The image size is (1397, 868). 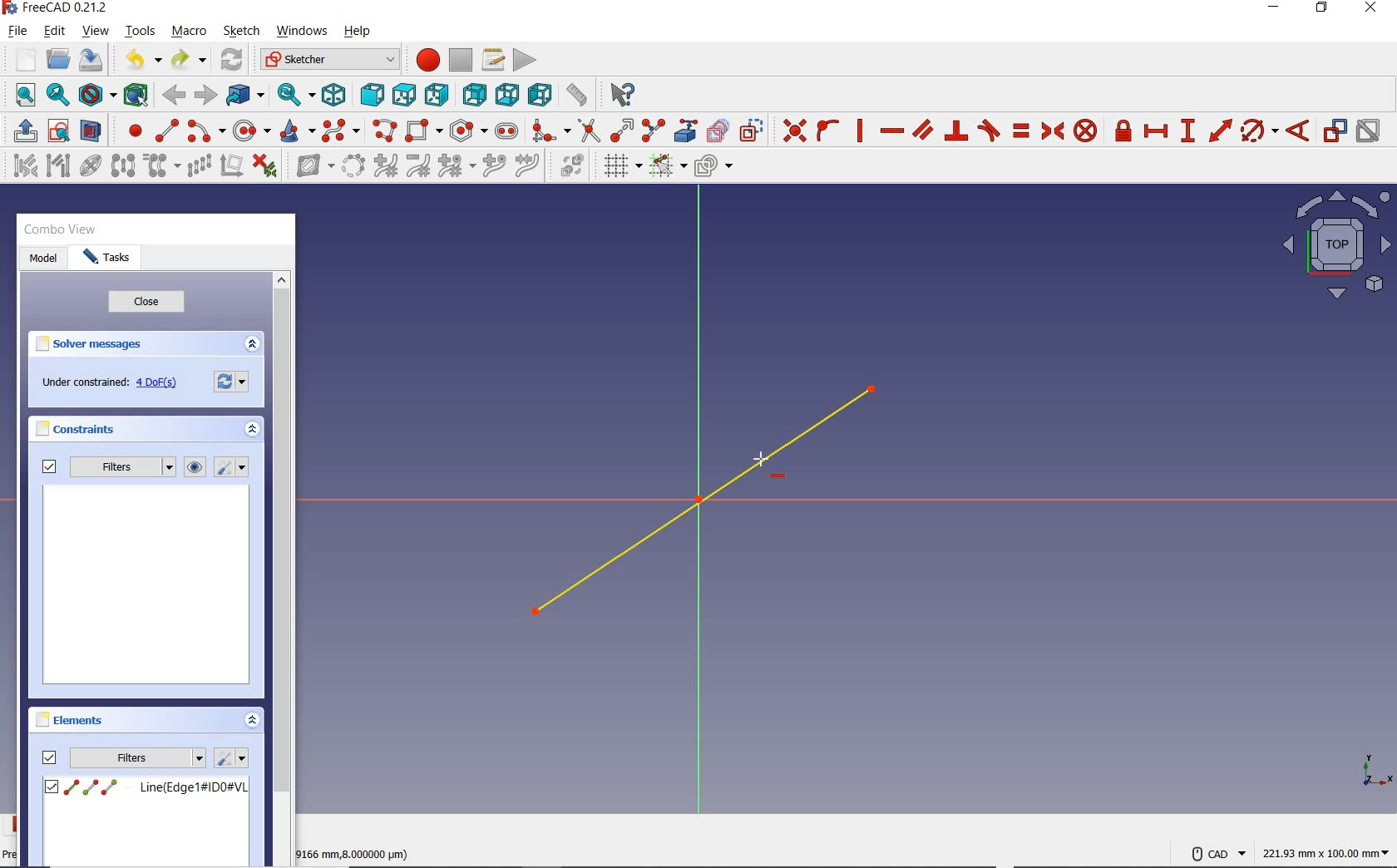 What do you see at coordinates (423, 131) in the screenshot?
I see `CREATE RECTANGLE` at bounding box center [423, 131].